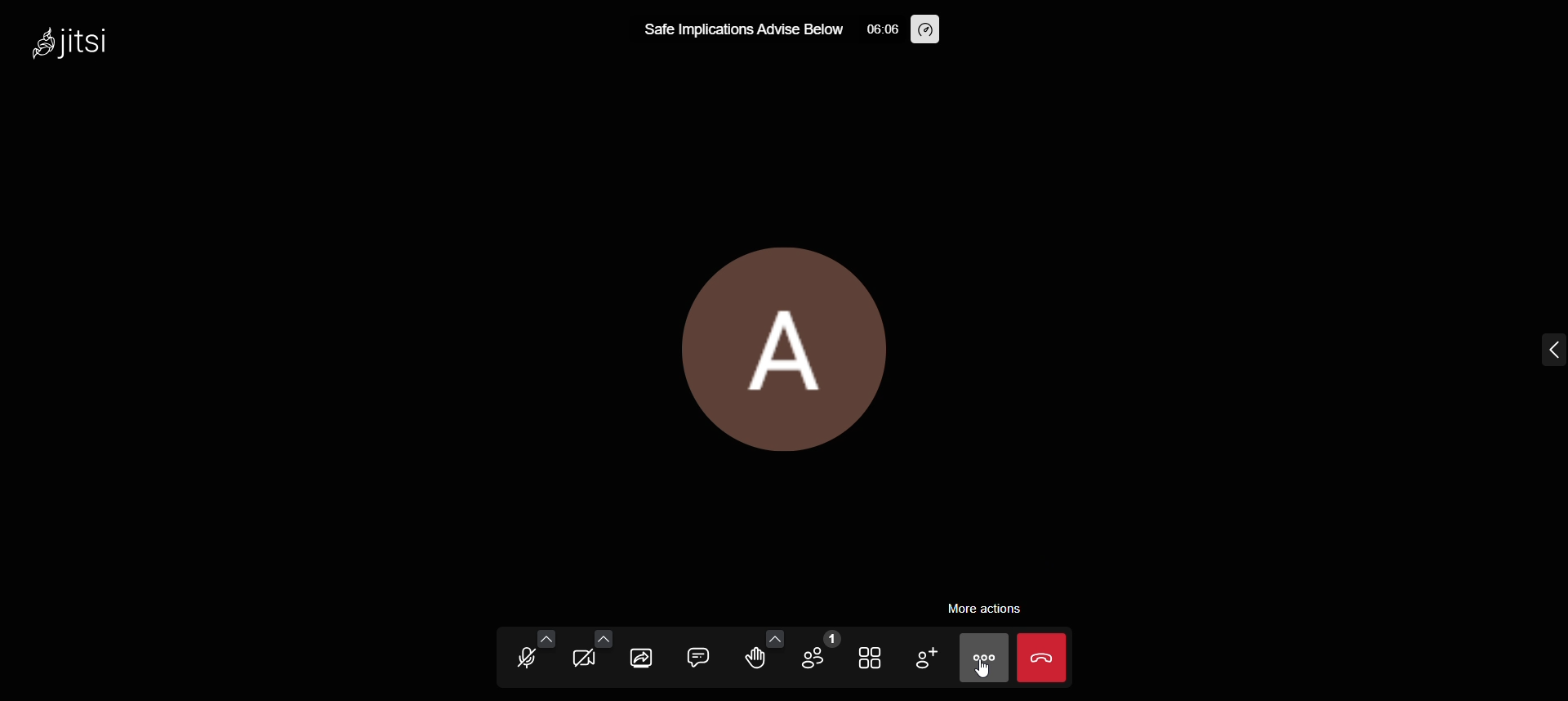 This screenshot has width=1568, height=701. What do you see at coordinates (85, 48) in the screenshot?
I see `jitsi` at bounding box center [85, 48].